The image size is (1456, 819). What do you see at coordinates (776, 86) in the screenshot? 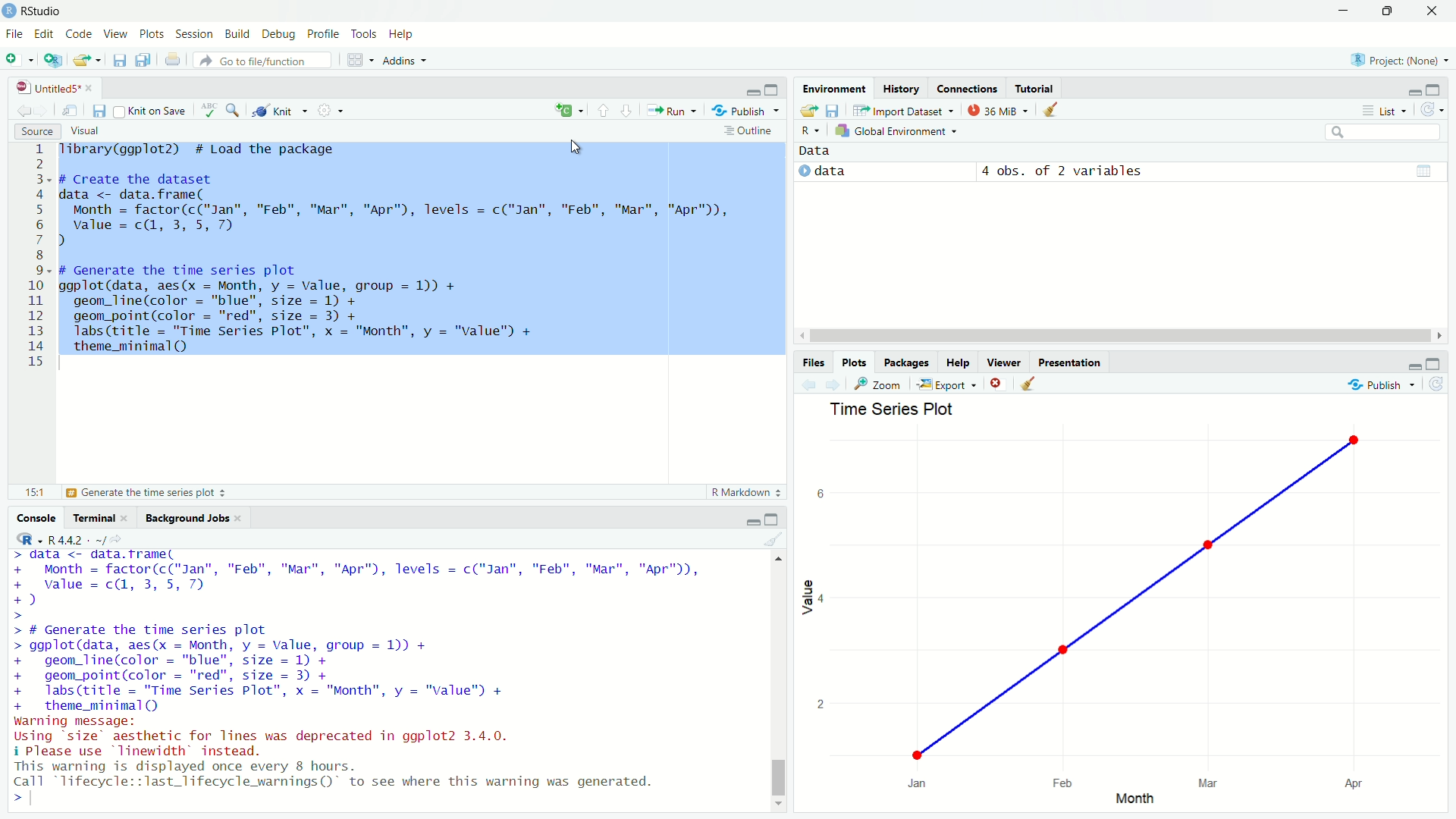
I see `maximize` at bounding box center [776, 86].